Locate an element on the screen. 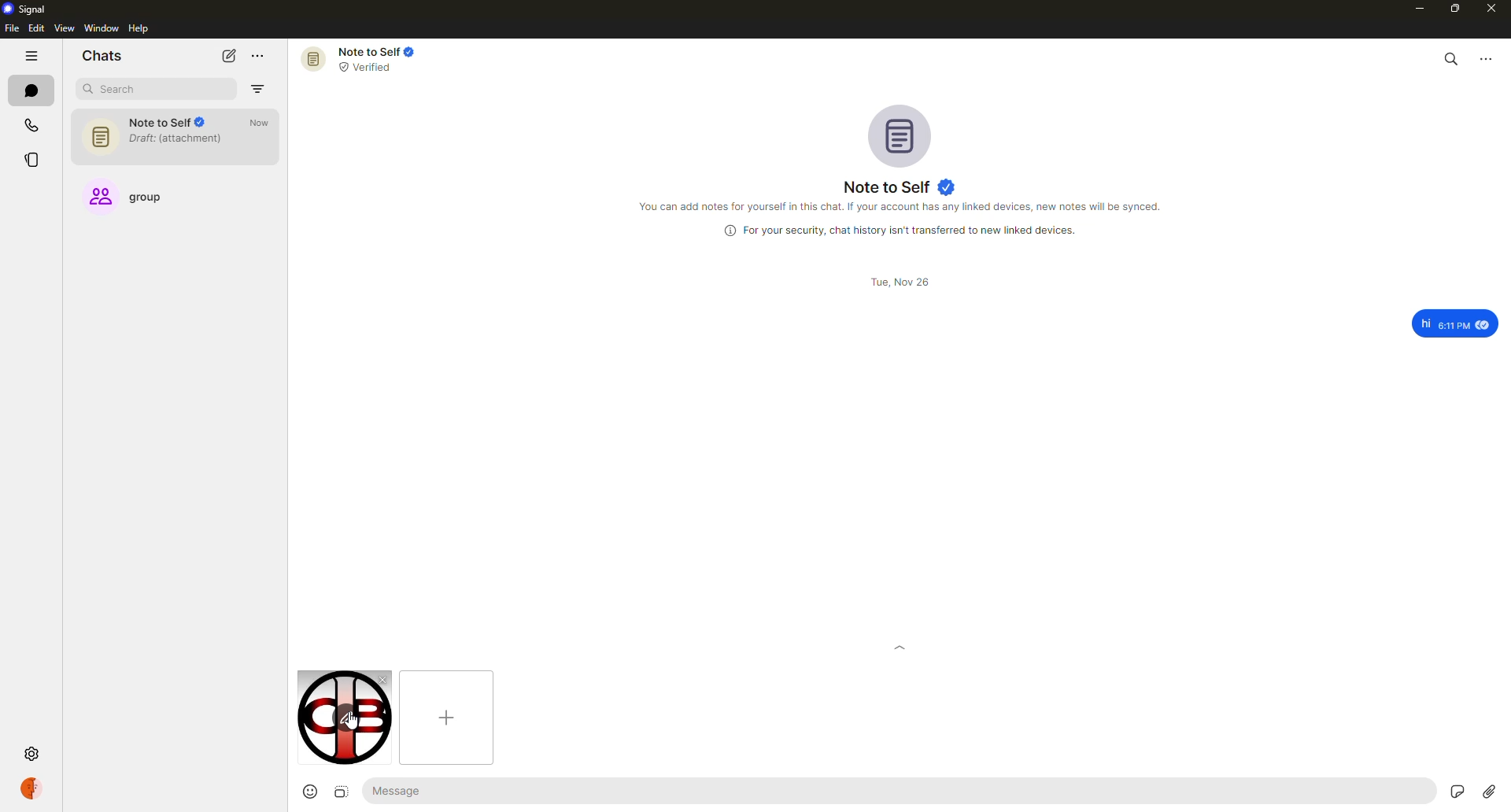 The width and height of the screenshot is (1511, 812). more is located at coordinates (1487, 56).